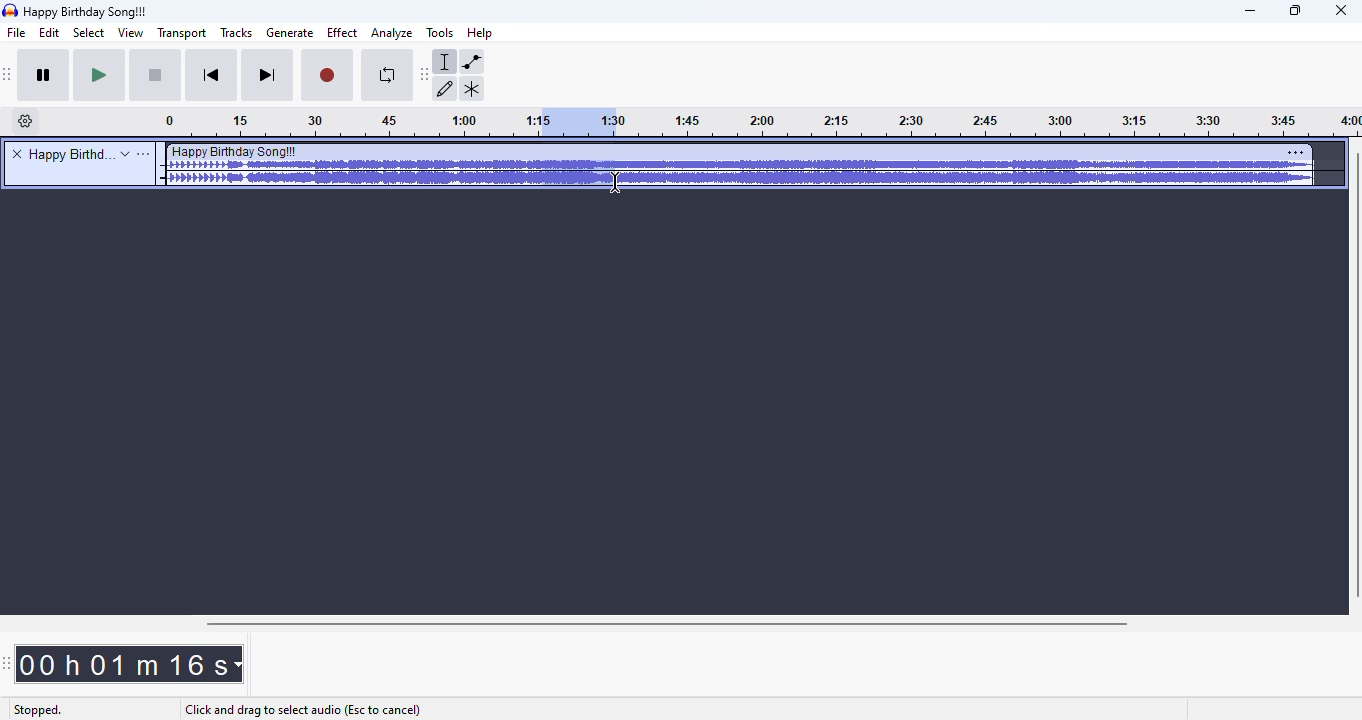  Describe the element at coordinates (52, 33) in the screenshot. I see `edit` at that location.